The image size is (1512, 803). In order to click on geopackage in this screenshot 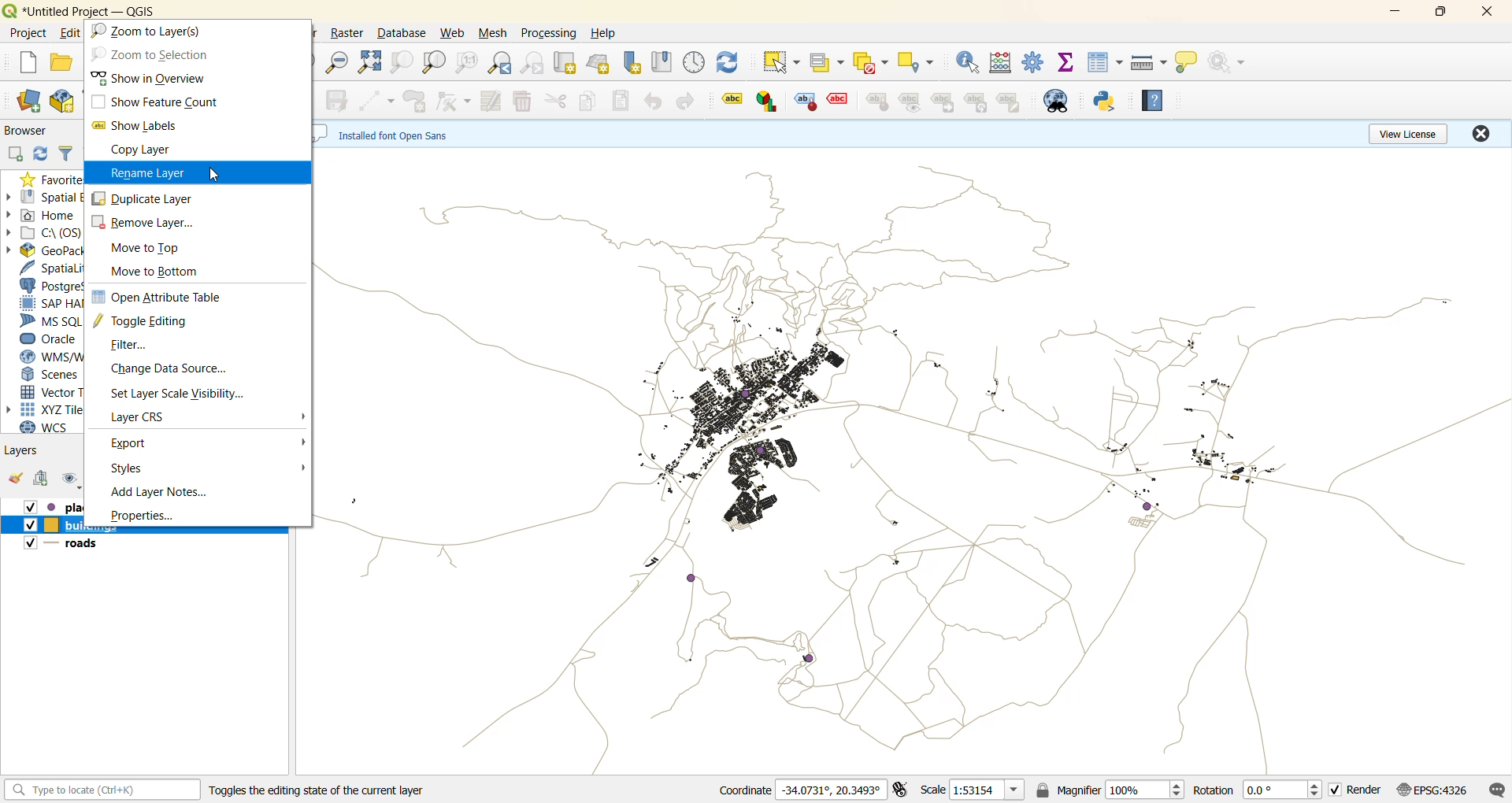, I will do `click(46, 252)`.